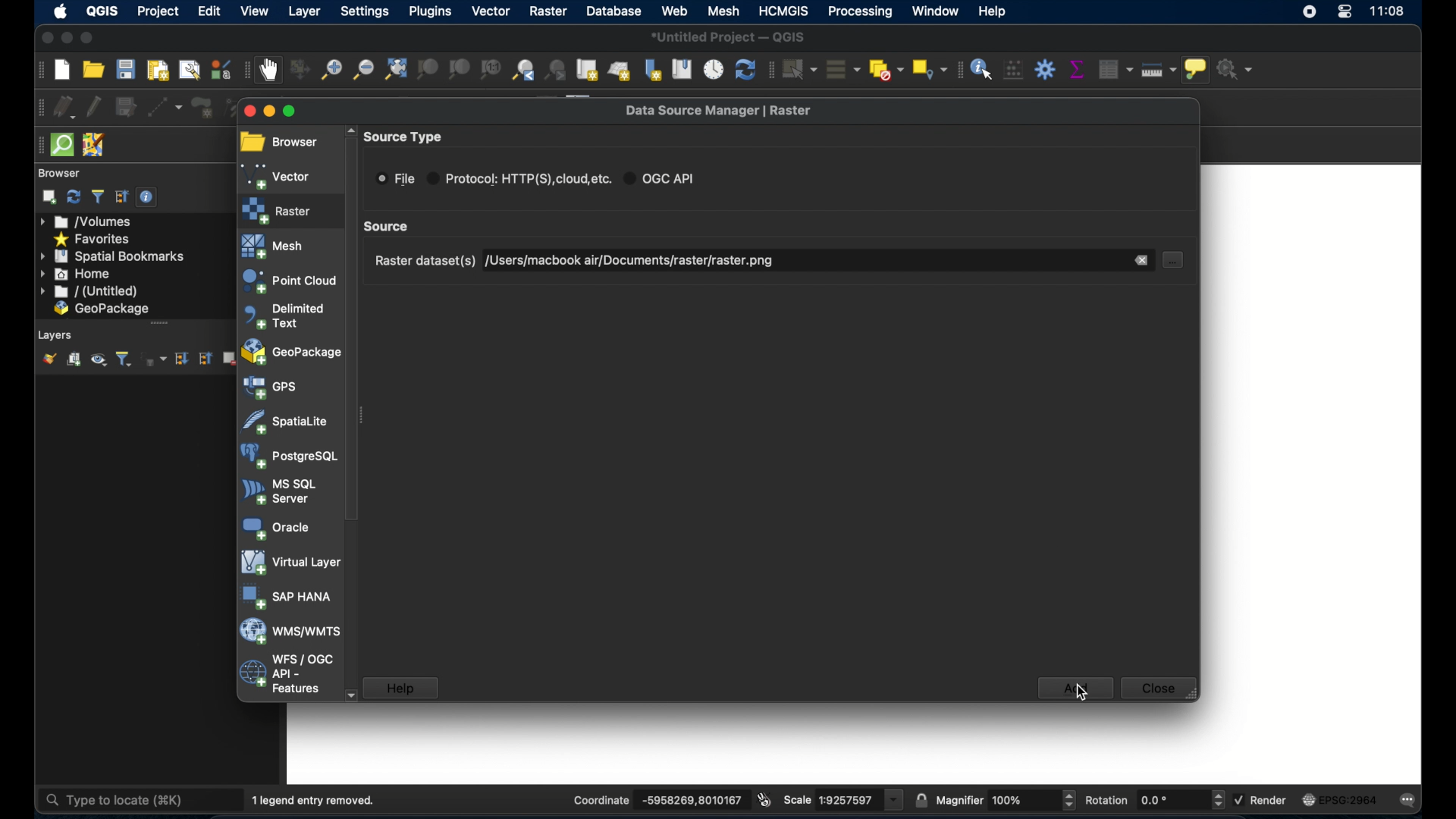  Describe the element at coordinates (957, 70) in the screenshot. I see `attribute toolbar` at that location.